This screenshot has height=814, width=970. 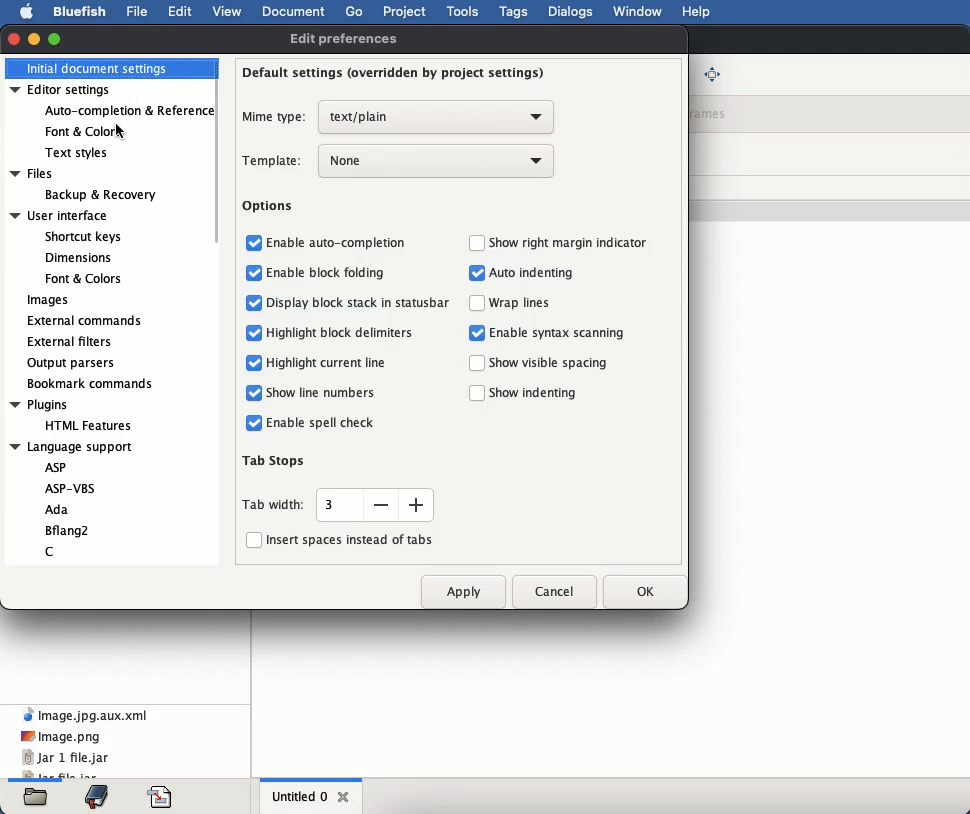 What do you see at coordinates (696, 12) in the screenshot?
I see `help` at bounding box center [696, 12].